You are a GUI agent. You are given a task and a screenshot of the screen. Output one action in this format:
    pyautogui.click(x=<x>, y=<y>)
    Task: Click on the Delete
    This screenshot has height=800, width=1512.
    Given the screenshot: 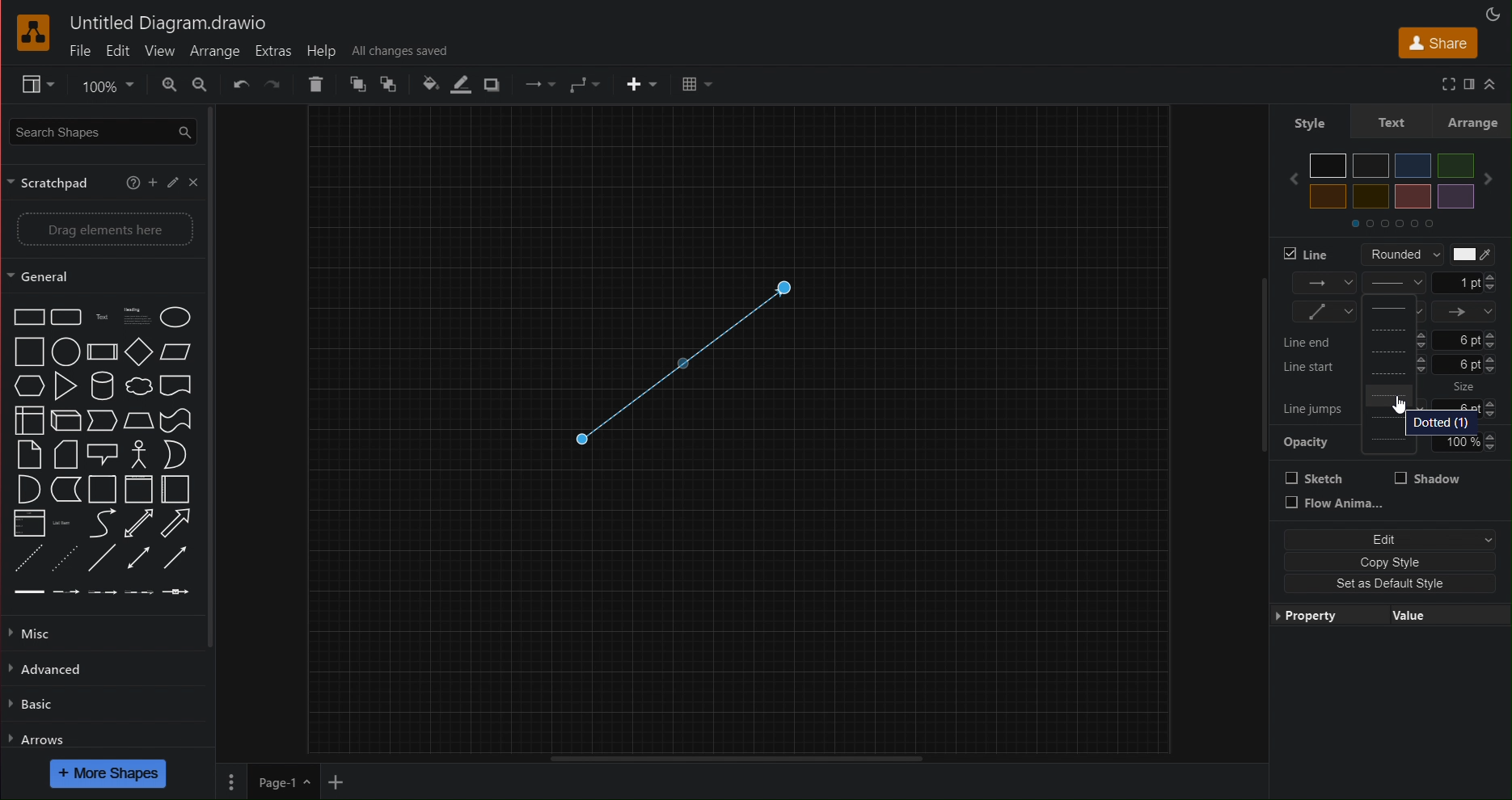 What is the action you would take?
    pyautogui.click(x=319, y=84)
    